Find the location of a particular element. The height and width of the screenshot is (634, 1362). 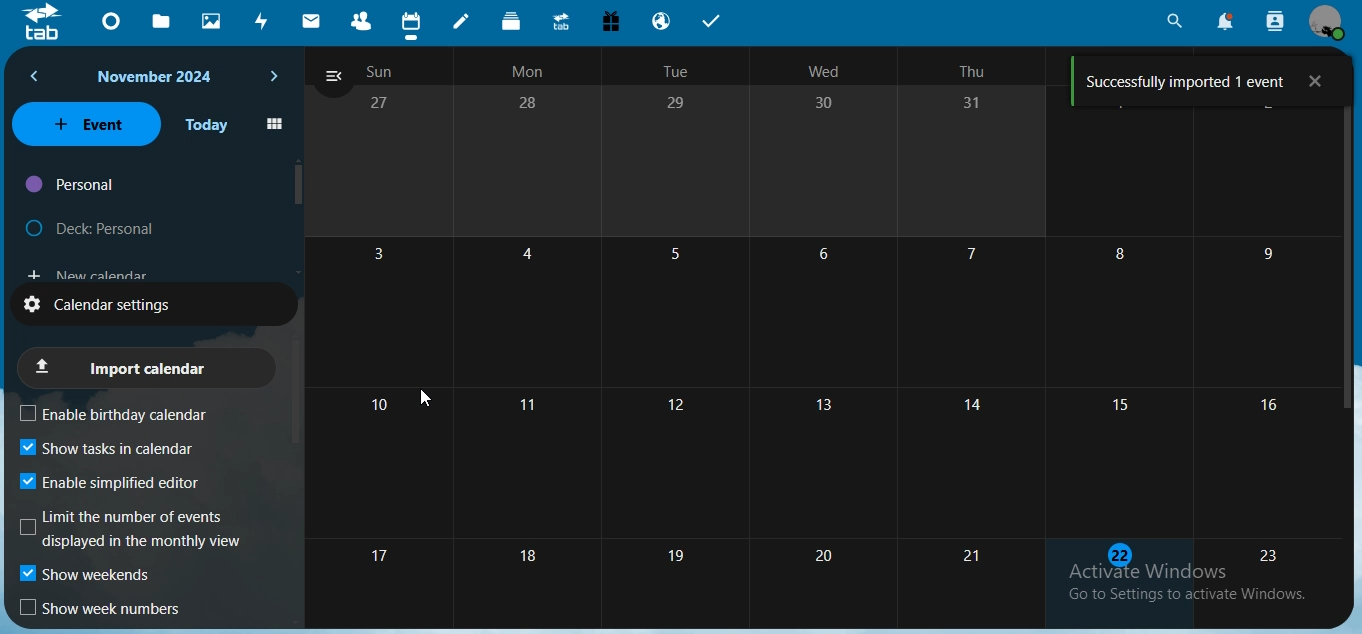

enable birthday calendar is located at coordinates (130, 414).